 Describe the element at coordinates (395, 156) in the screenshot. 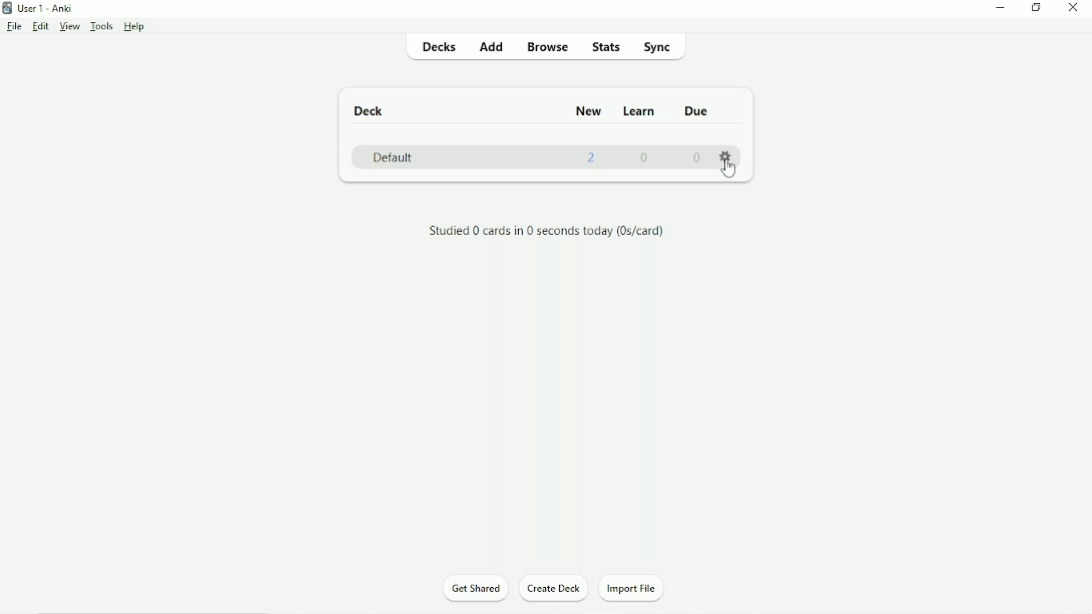

I see `Default` at that location.